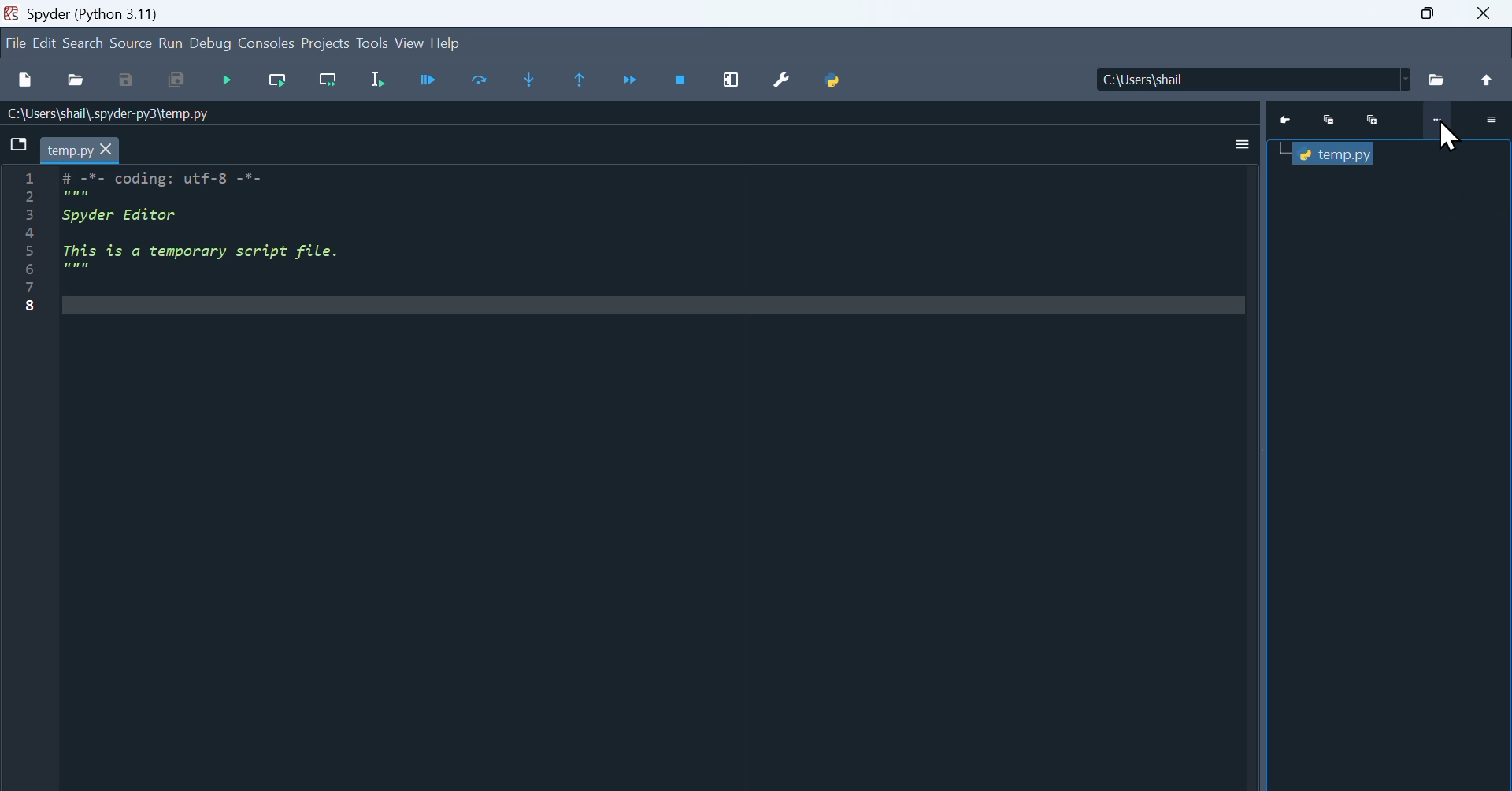 Image resolution: width=1512 pixels, height=791 pixels. I want to click on File, so click(1438, 80).